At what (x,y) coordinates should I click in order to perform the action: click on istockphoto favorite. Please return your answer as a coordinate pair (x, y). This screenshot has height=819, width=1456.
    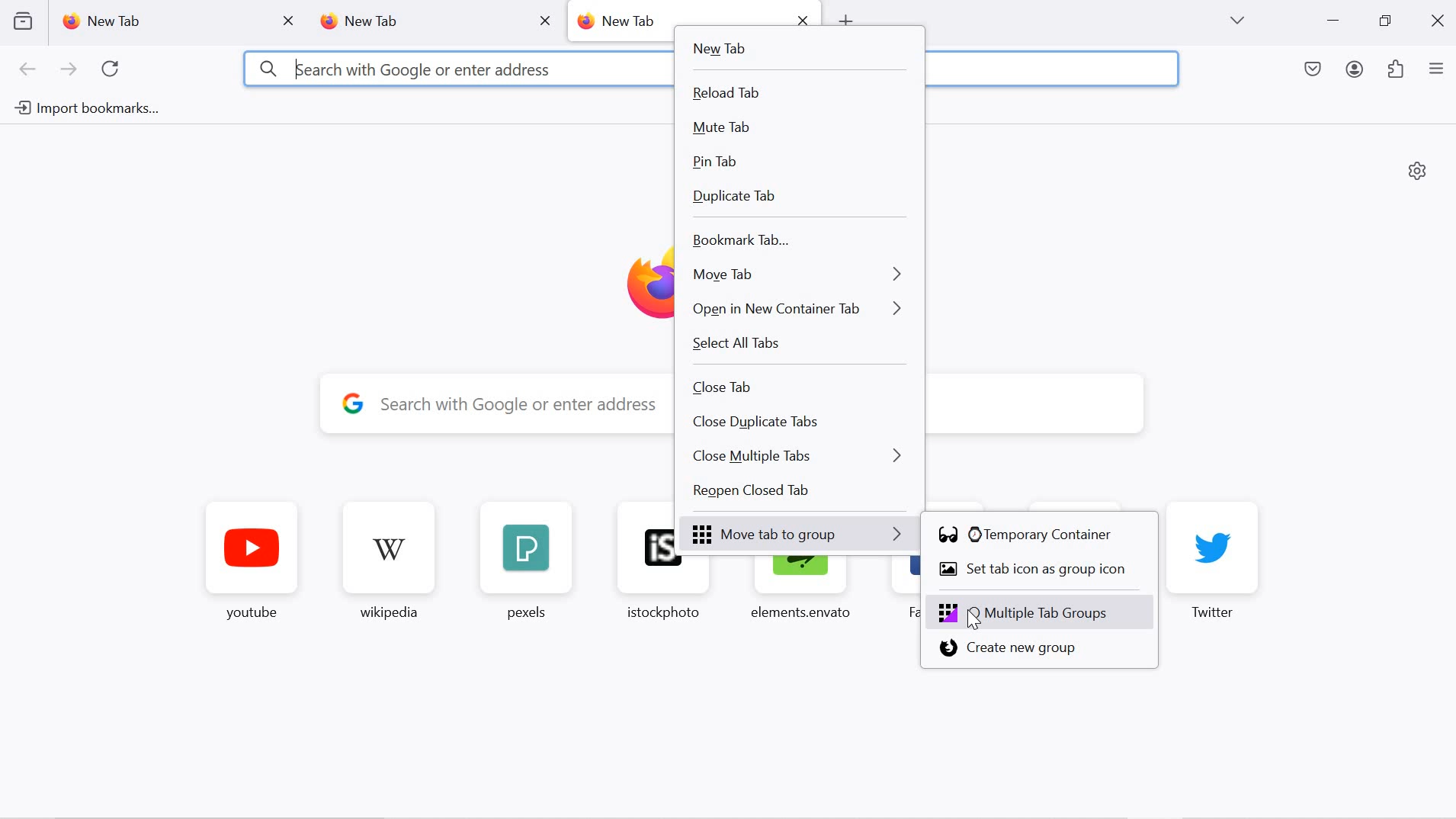
    Looking at the image, I should click on (656, 592).